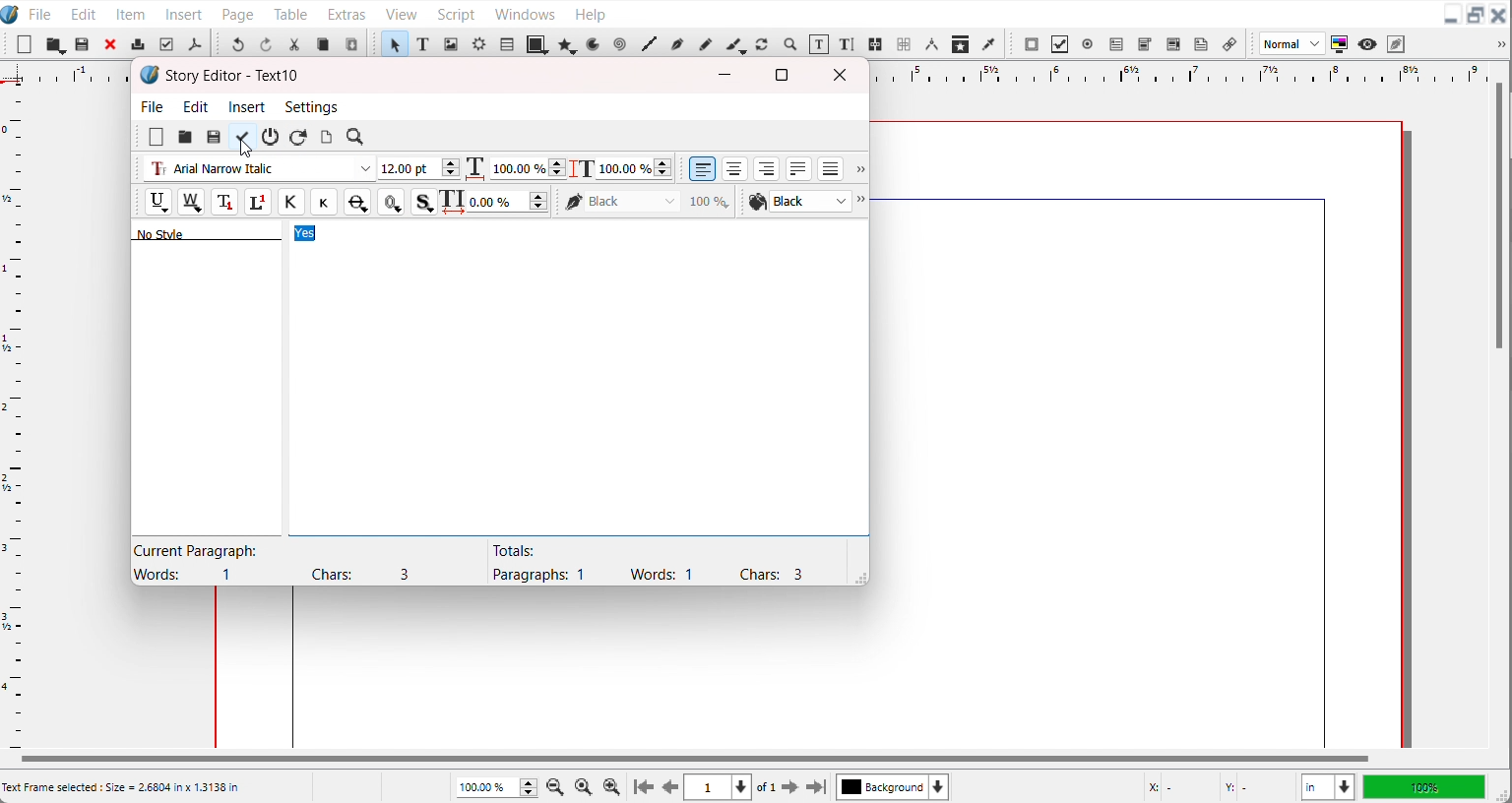 This screenshot has height=803, width=1512. What do you see at coordinates (799, 168) in the screenshot?
I see `Align text Justified` at bounding box center [799, 168].